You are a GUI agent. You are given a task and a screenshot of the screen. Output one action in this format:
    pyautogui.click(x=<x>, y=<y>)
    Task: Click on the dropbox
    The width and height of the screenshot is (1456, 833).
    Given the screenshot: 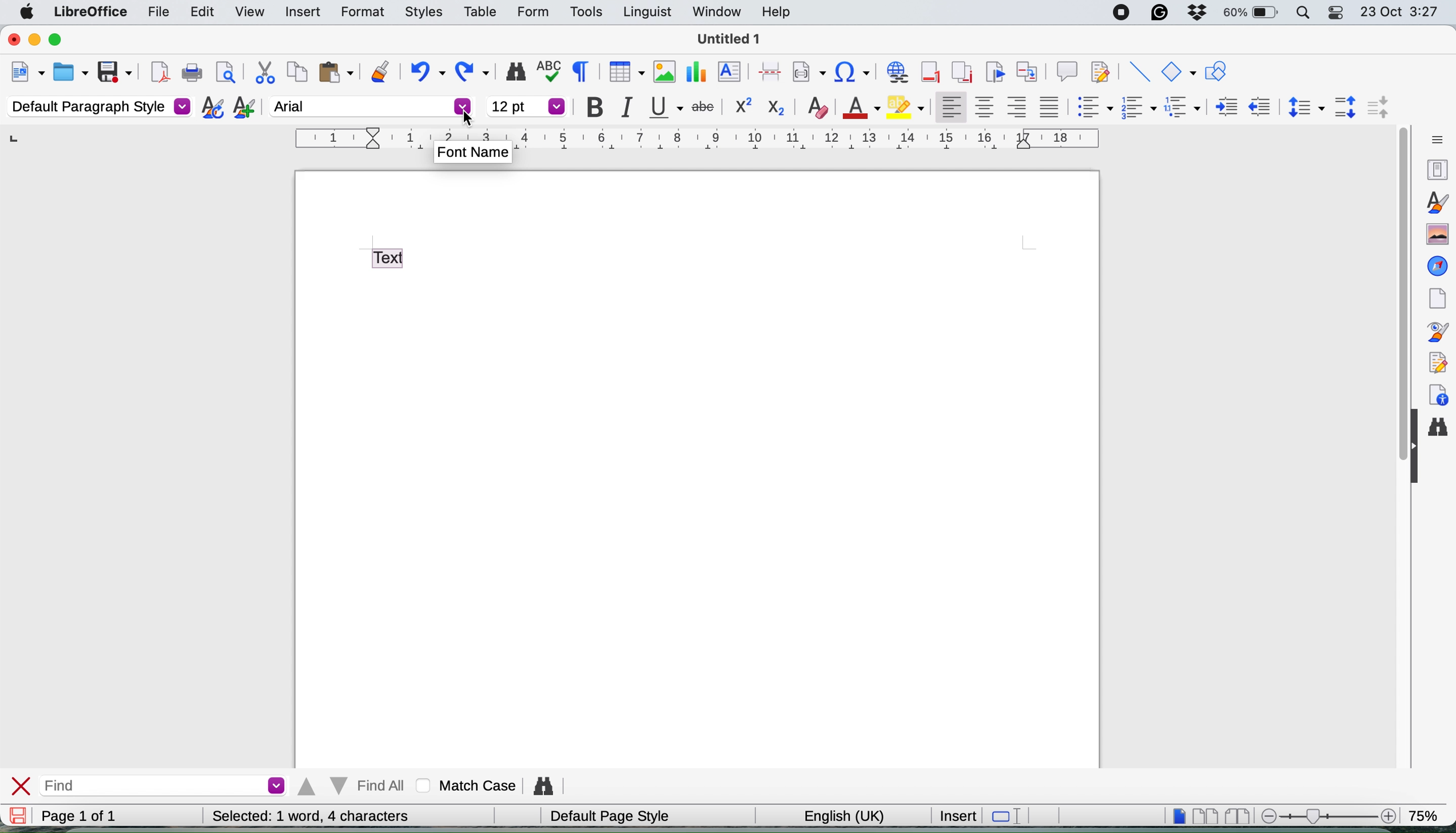 What is the action you would take?
    pyautogui.click(x=1195, y=11)
    